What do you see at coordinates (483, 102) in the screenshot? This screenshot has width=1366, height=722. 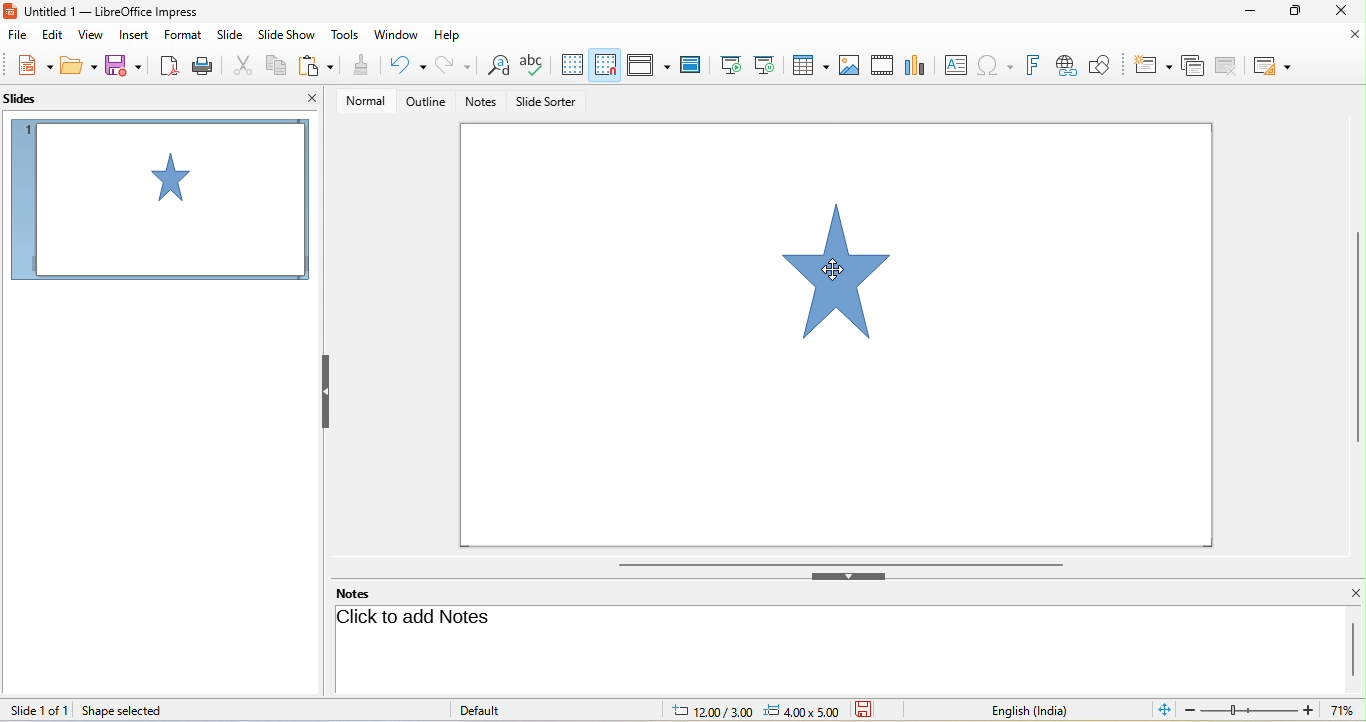 I see `notes` at bounding box center [483, 102].